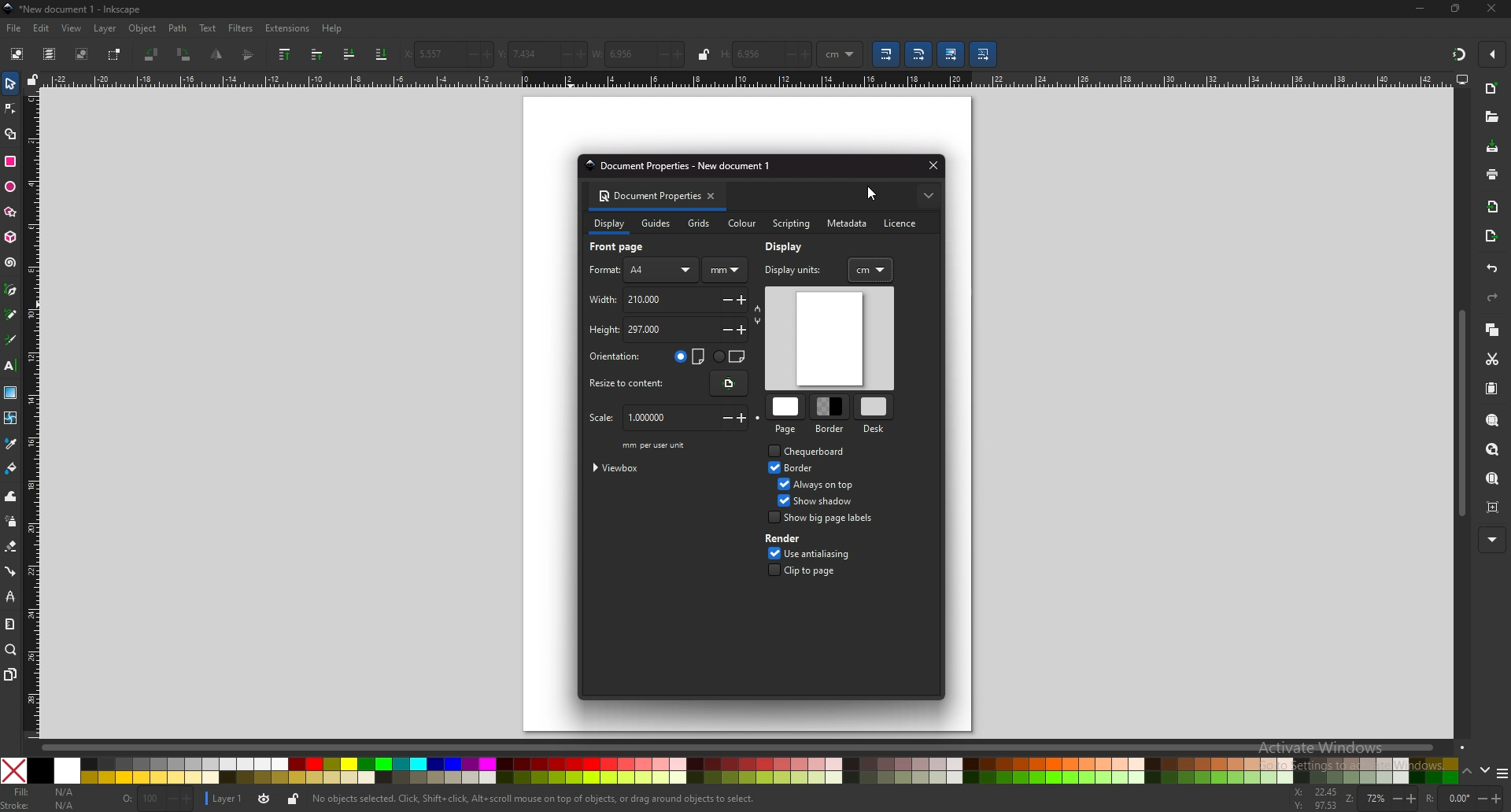 This screenshot has width=1511, height=812. Describe the element at coordinates (748, 78) in the screenshot. I see `horizontal ruler` at that location.